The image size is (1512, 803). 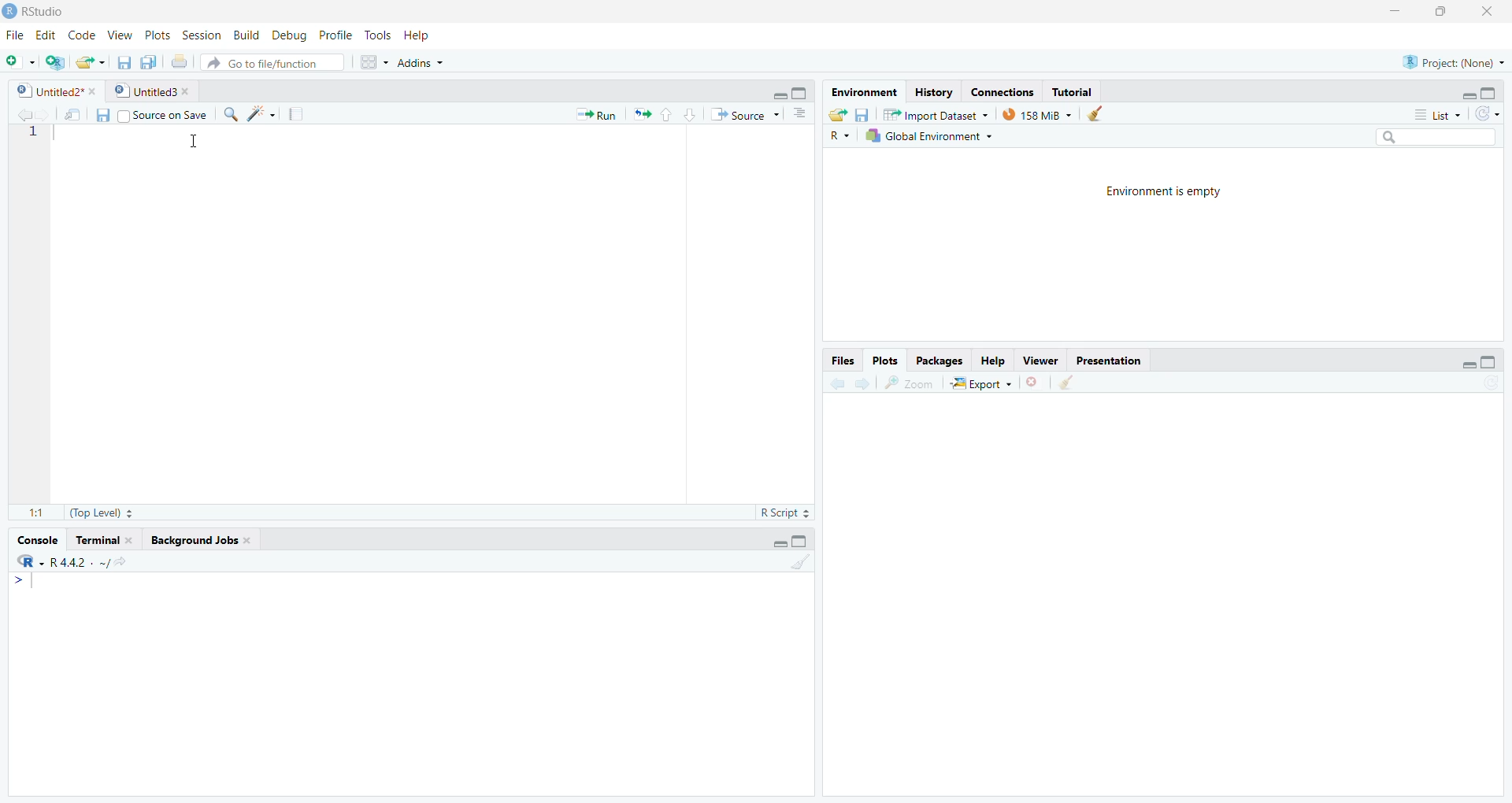 I want to click on New file, so click(x=17, y=58).